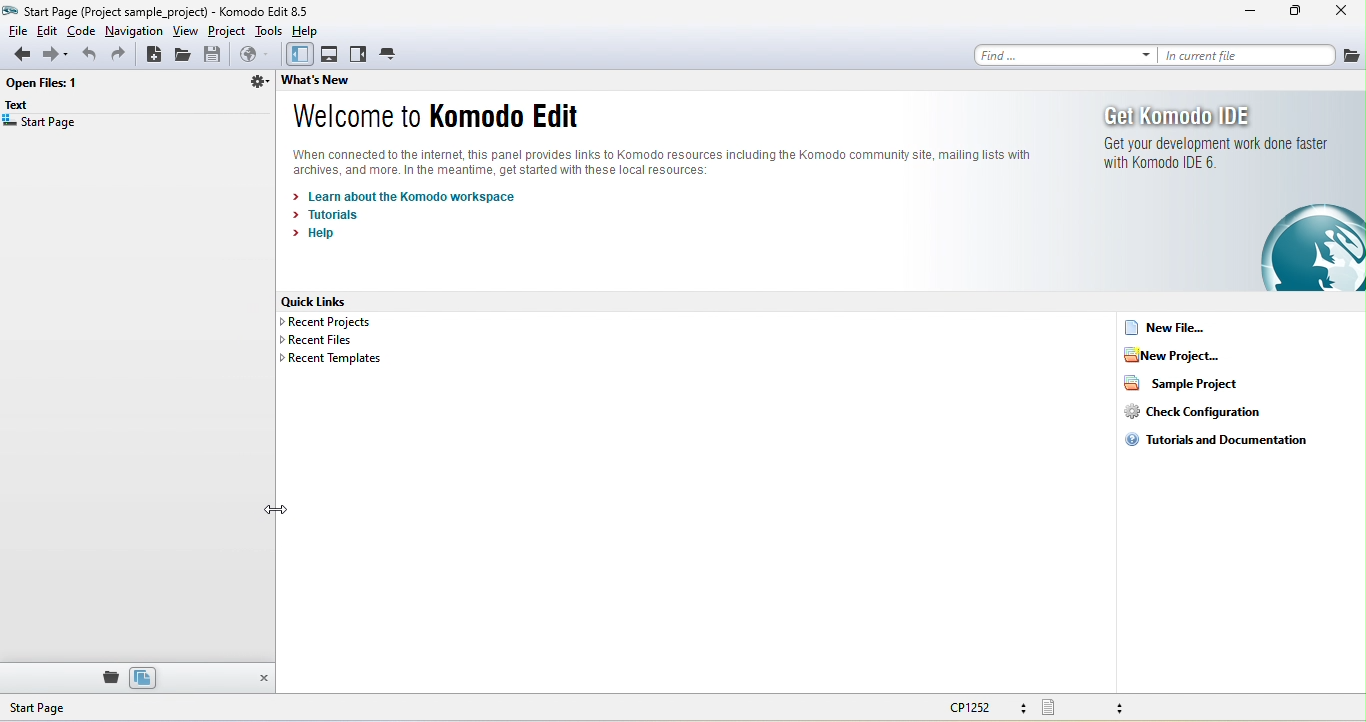 The height and width of the screenshot is (722, 1366). Describe the element at coordinates (82, 30) in the screenshot. I see `code` at that location.